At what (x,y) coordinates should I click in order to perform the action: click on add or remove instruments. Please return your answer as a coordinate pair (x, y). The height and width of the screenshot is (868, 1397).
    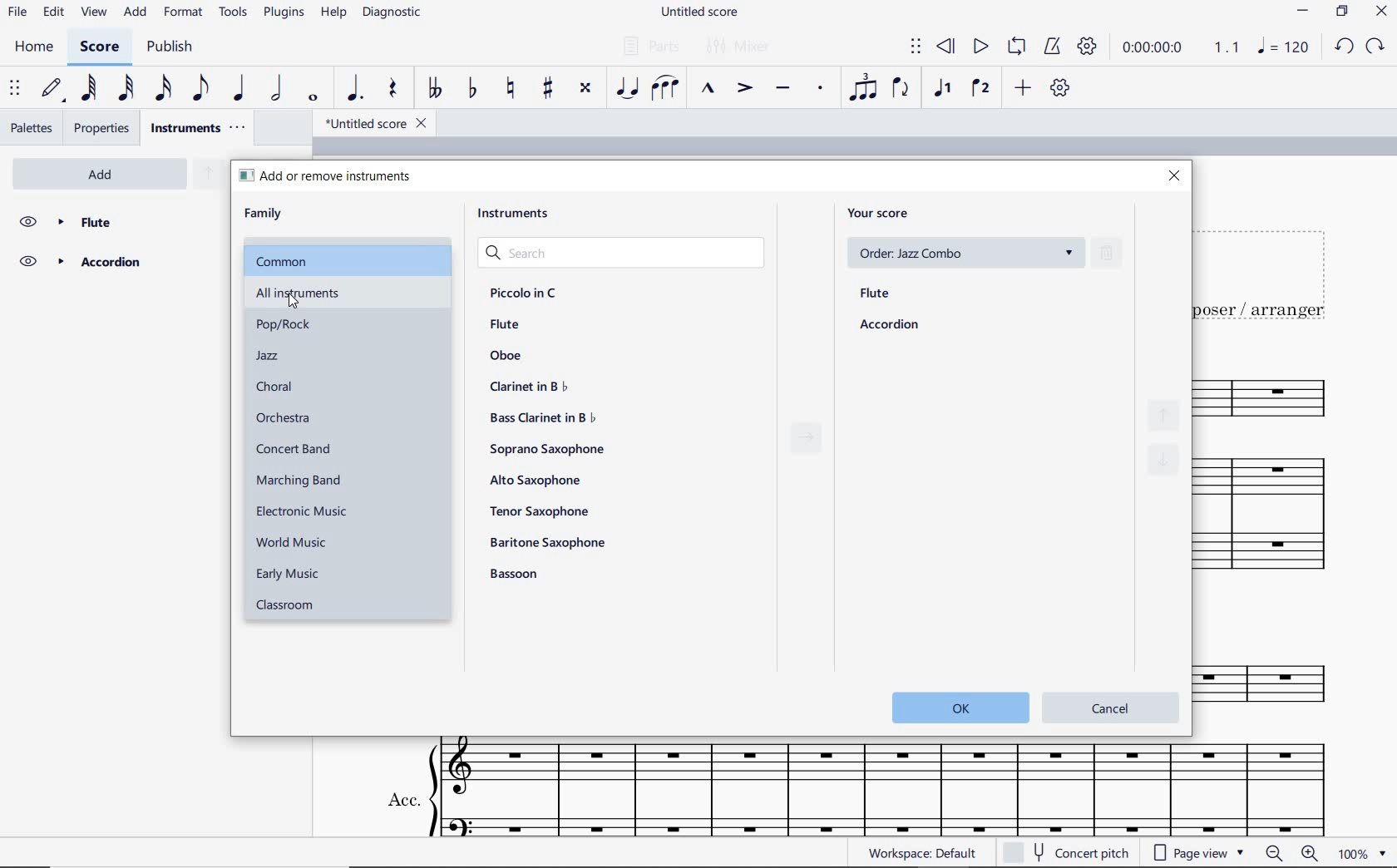
    Looking at the image, I should click on (328, 176).